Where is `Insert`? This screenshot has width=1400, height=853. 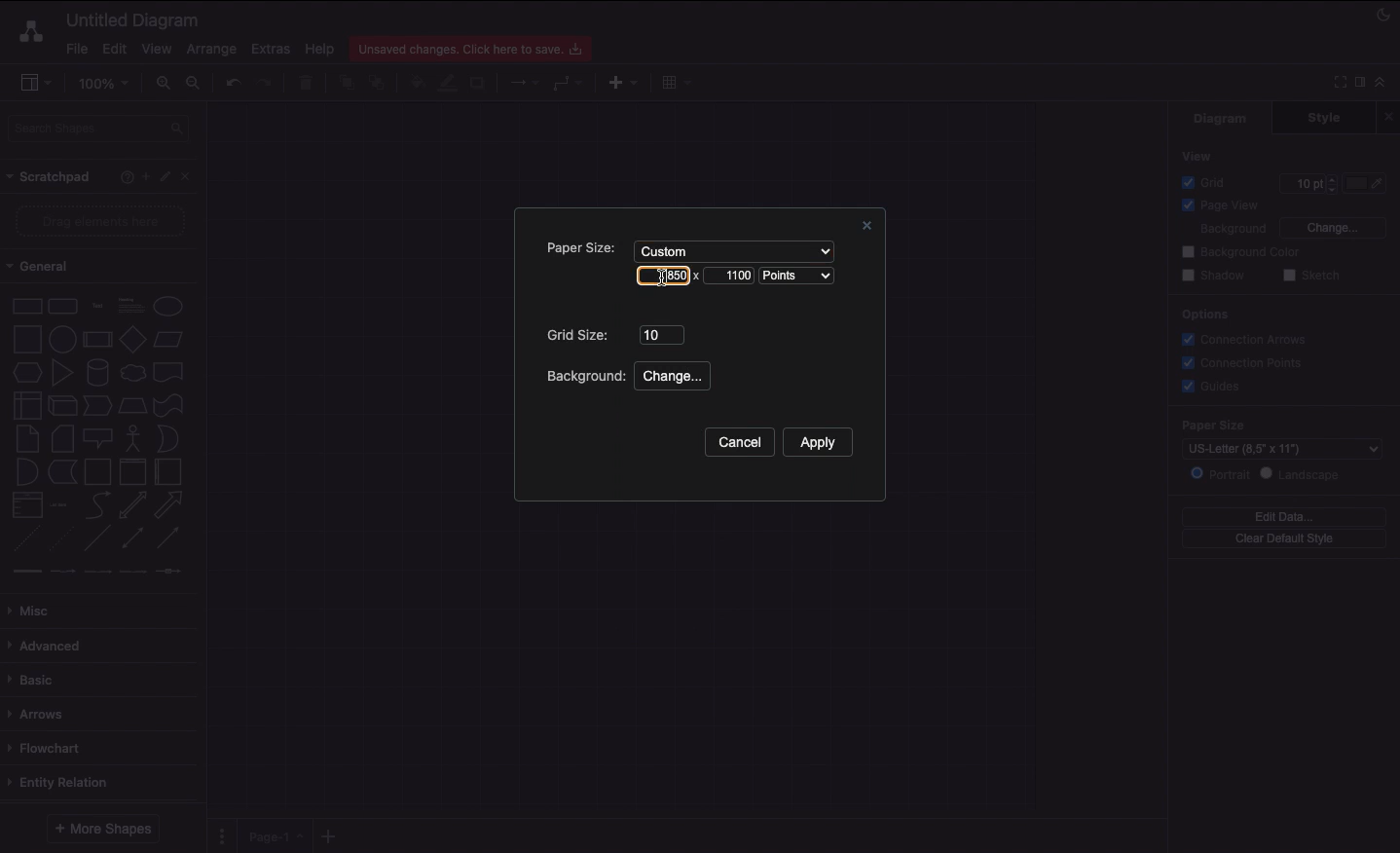 Insert is located at coordinates (618, 81).